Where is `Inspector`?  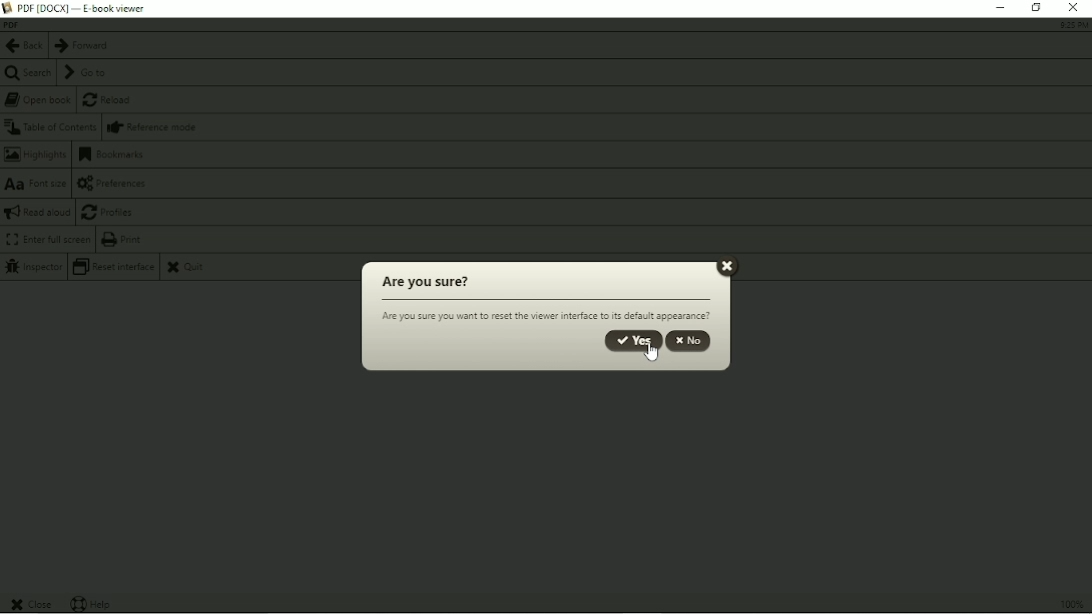
Inspector is located at coordinates (33, 268).